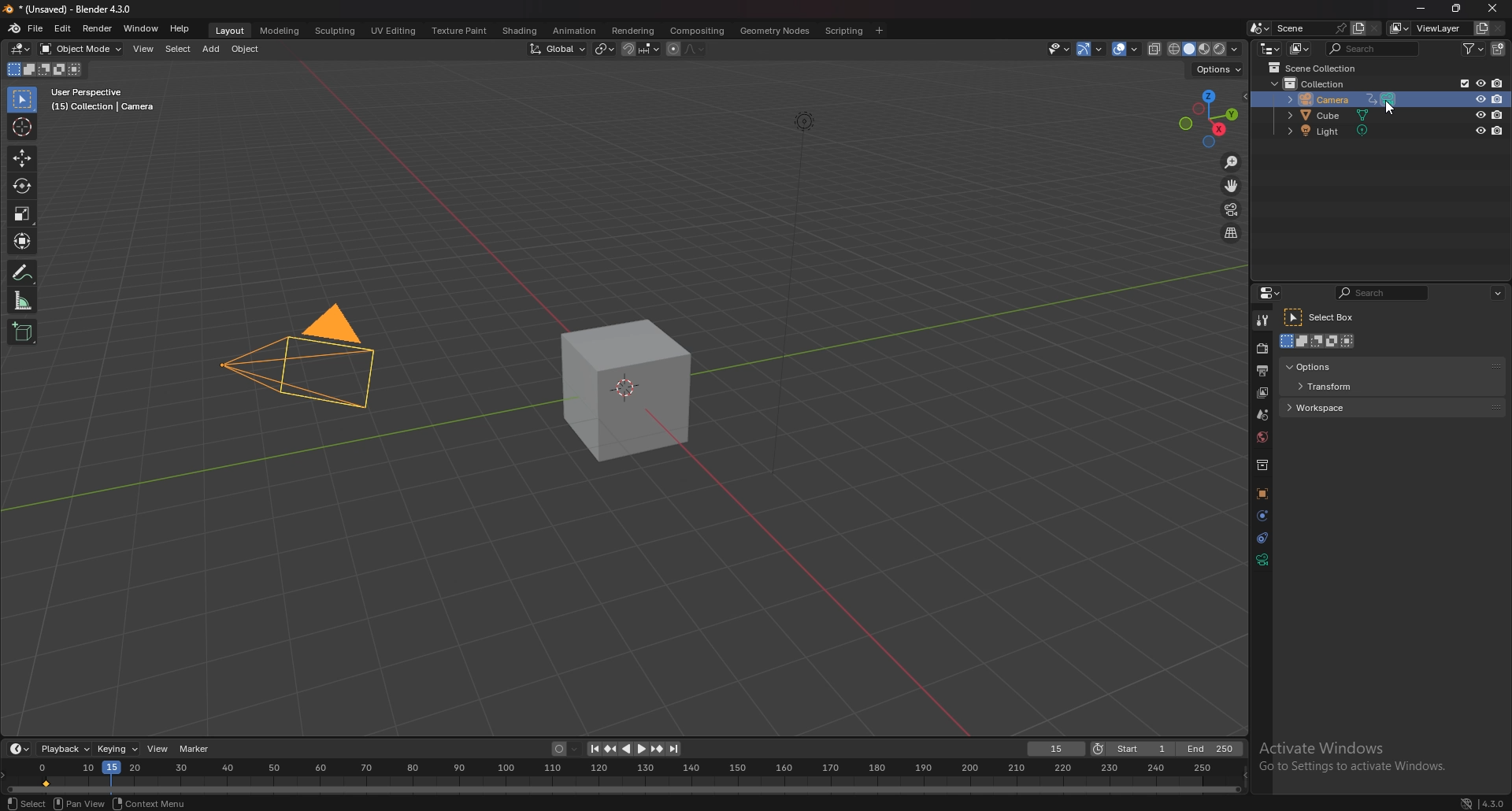  What do you see at coordinates (141, 28) in the screenshot?
I see `window` at bounding box center [141, 28].